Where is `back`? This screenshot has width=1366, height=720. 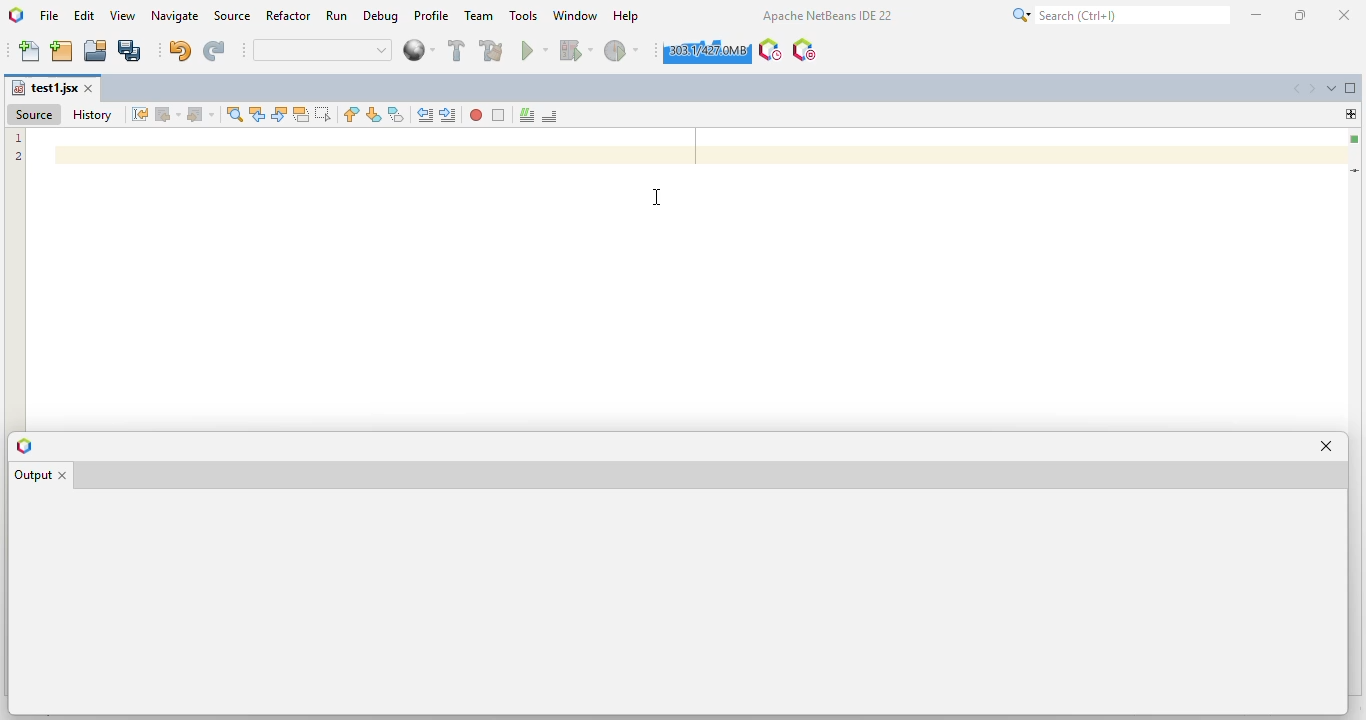
back is located at coordinates (169, 114).